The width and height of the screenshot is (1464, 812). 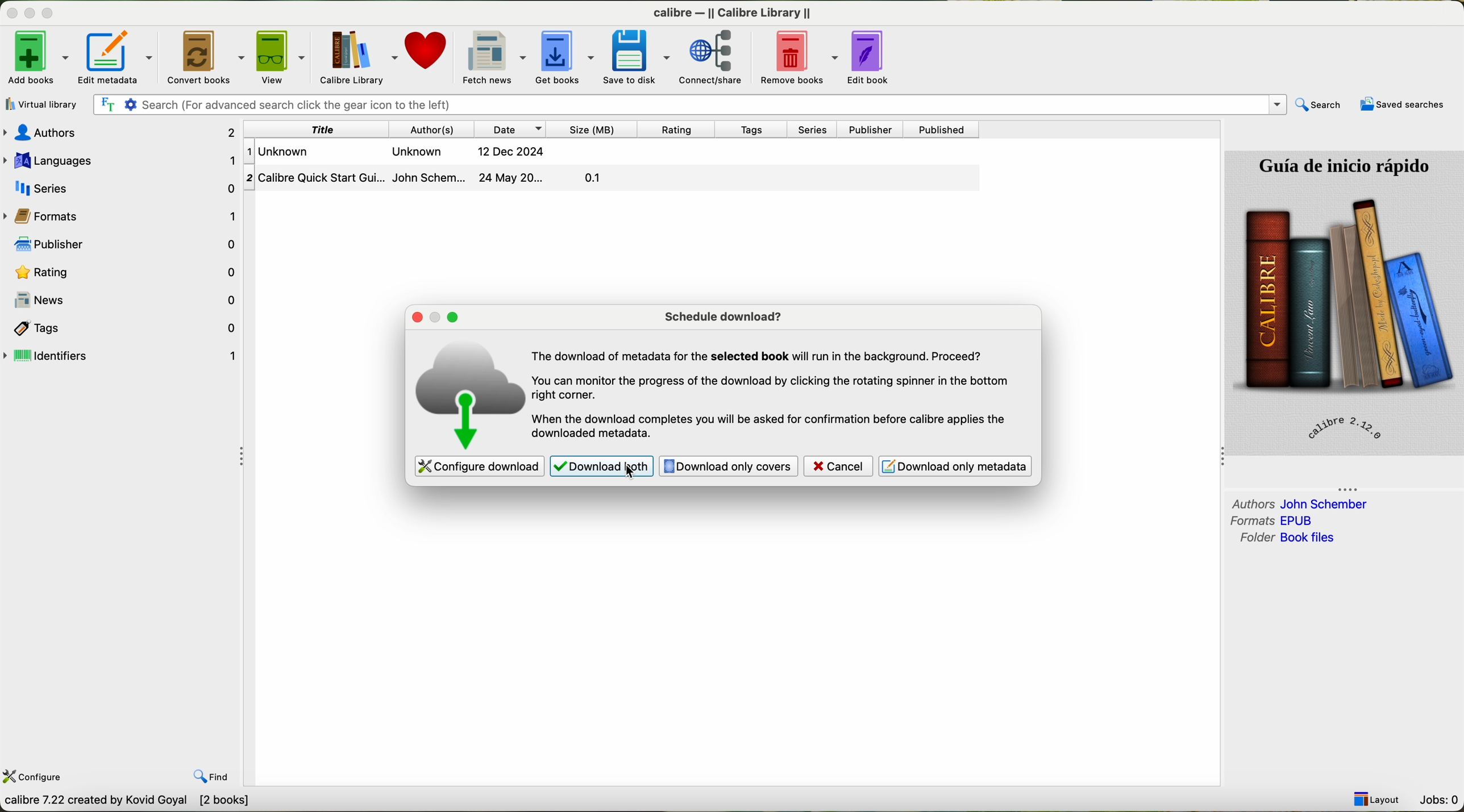 What do you see at coordinates (57, 217) in the screenshot?
I see `format` at bounding box center [57, 217].